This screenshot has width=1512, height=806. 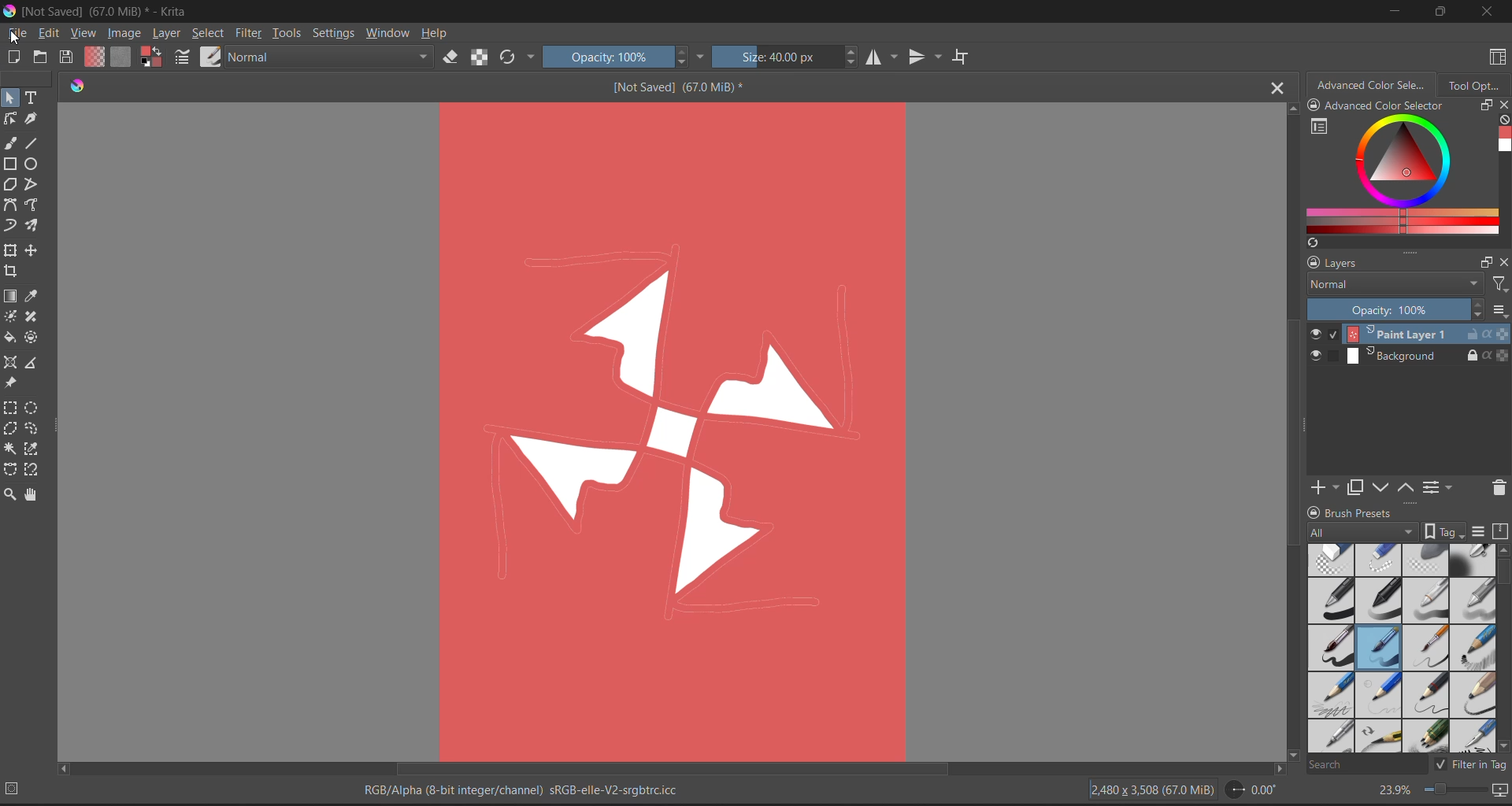 What do you see at coordinates (336, 33) in the screenshot?
I see `settings` at bounding box center [336, 33].